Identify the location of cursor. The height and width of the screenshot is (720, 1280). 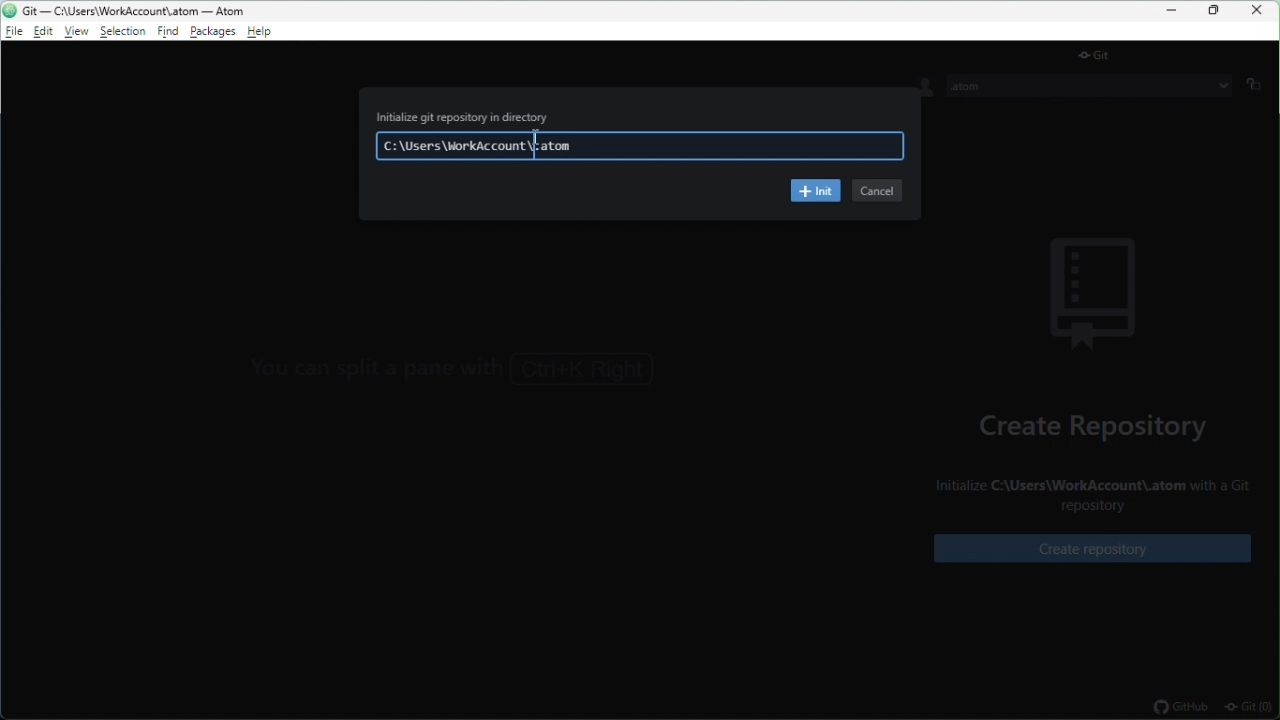
(539, 135).